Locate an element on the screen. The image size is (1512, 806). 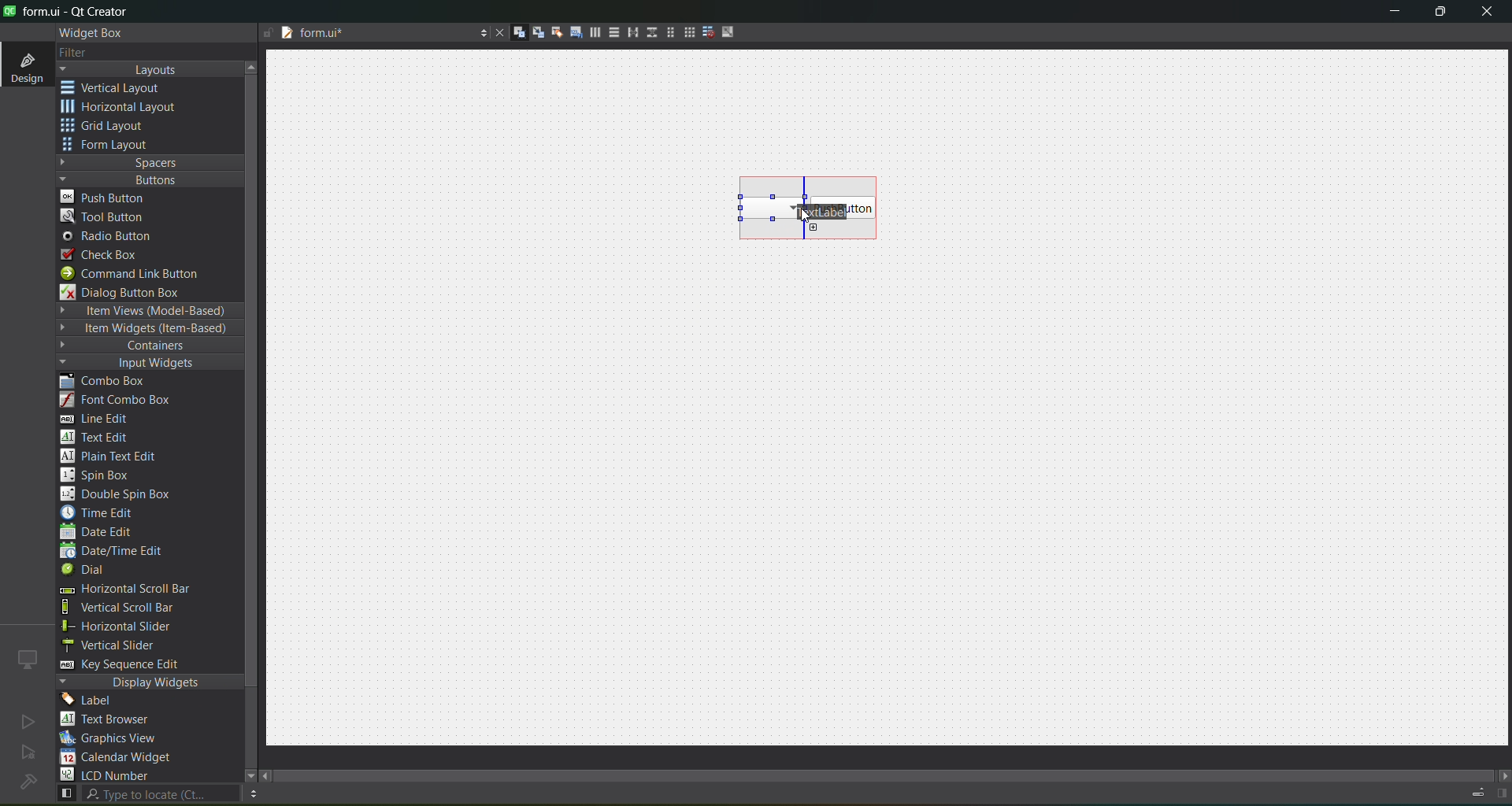
cursor is located at coordinates (802, 217).